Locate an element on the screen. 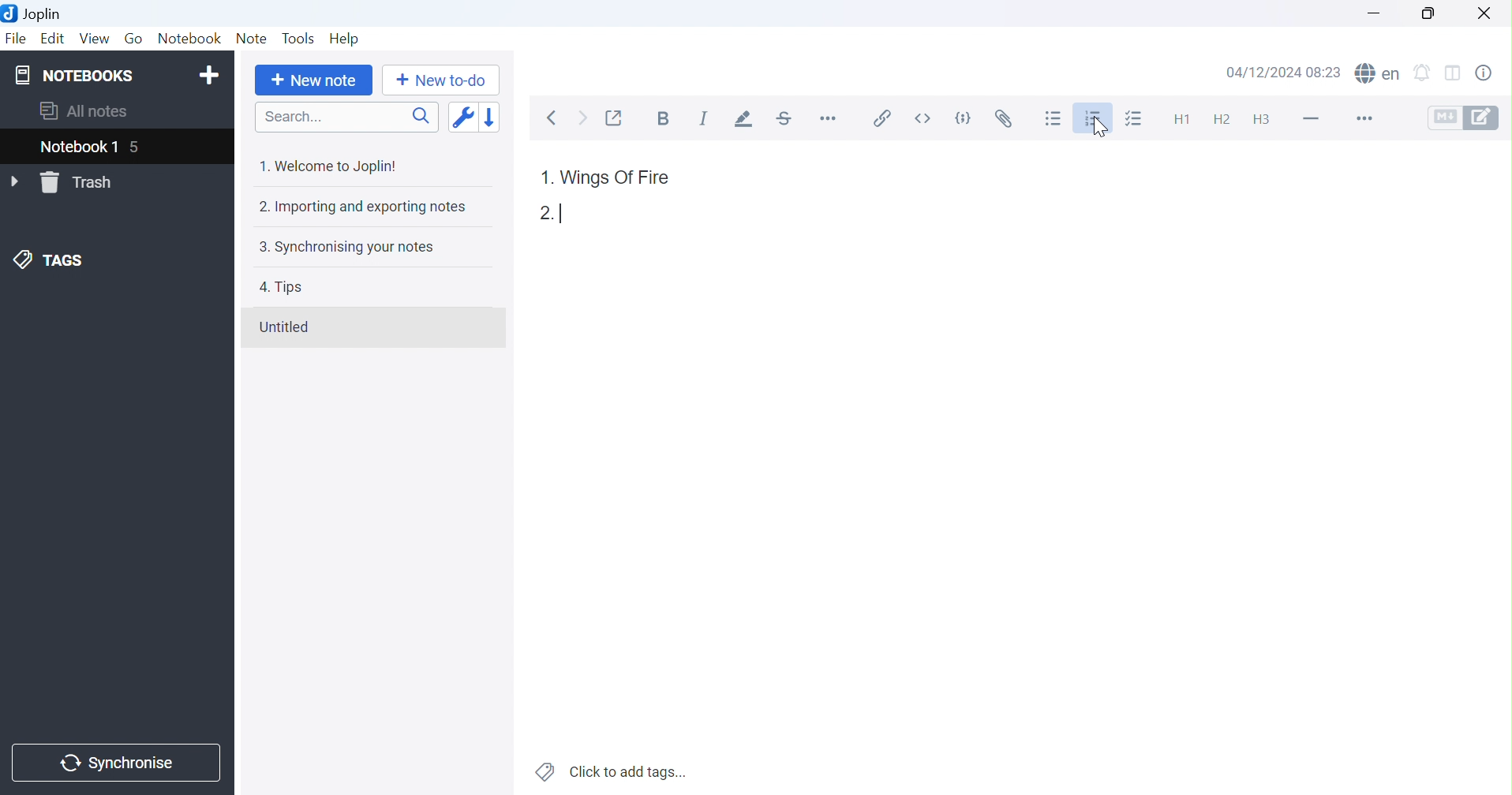 This screenshot has height=795, width=1512. Search is located at coordinates (346, 117).